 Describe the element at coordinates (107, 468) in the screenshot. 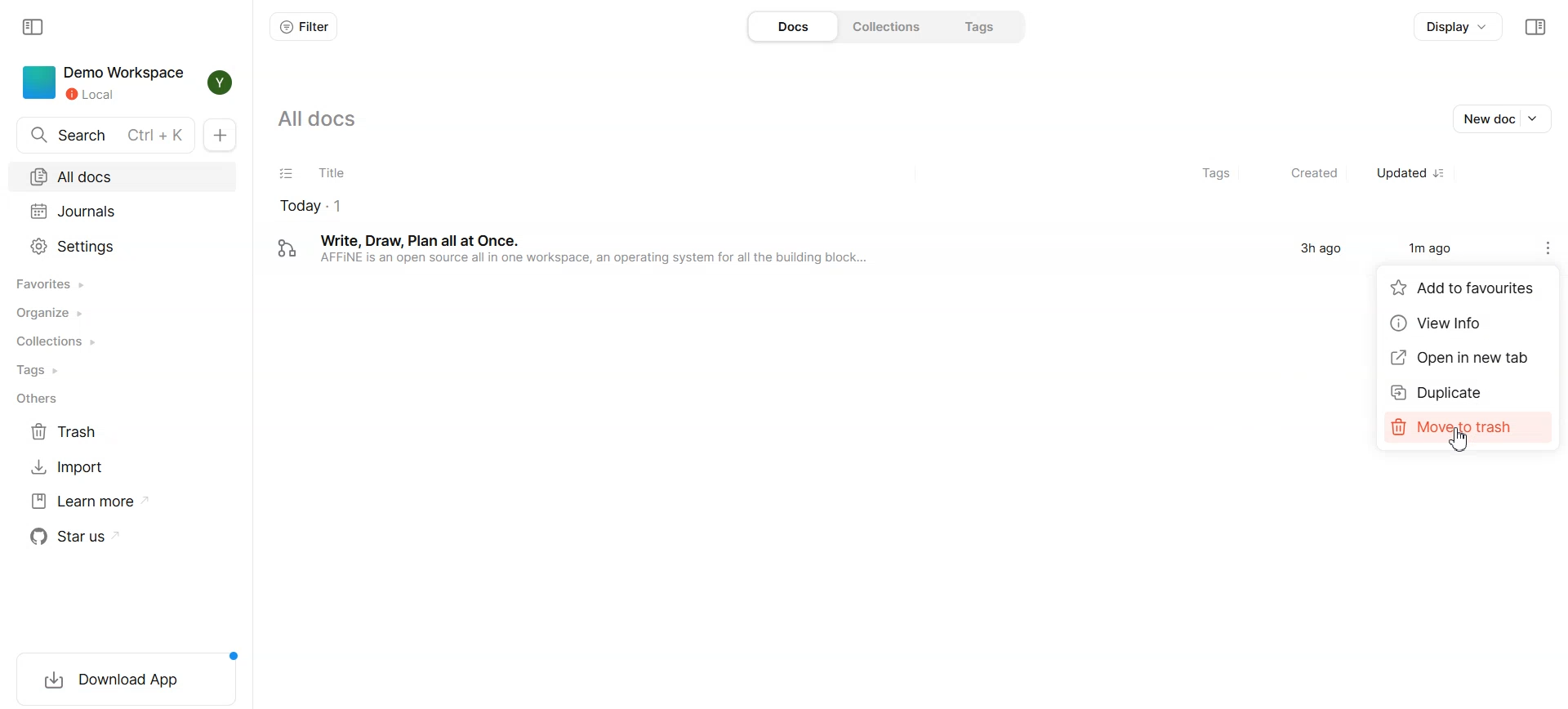

I see `Import` at that location.